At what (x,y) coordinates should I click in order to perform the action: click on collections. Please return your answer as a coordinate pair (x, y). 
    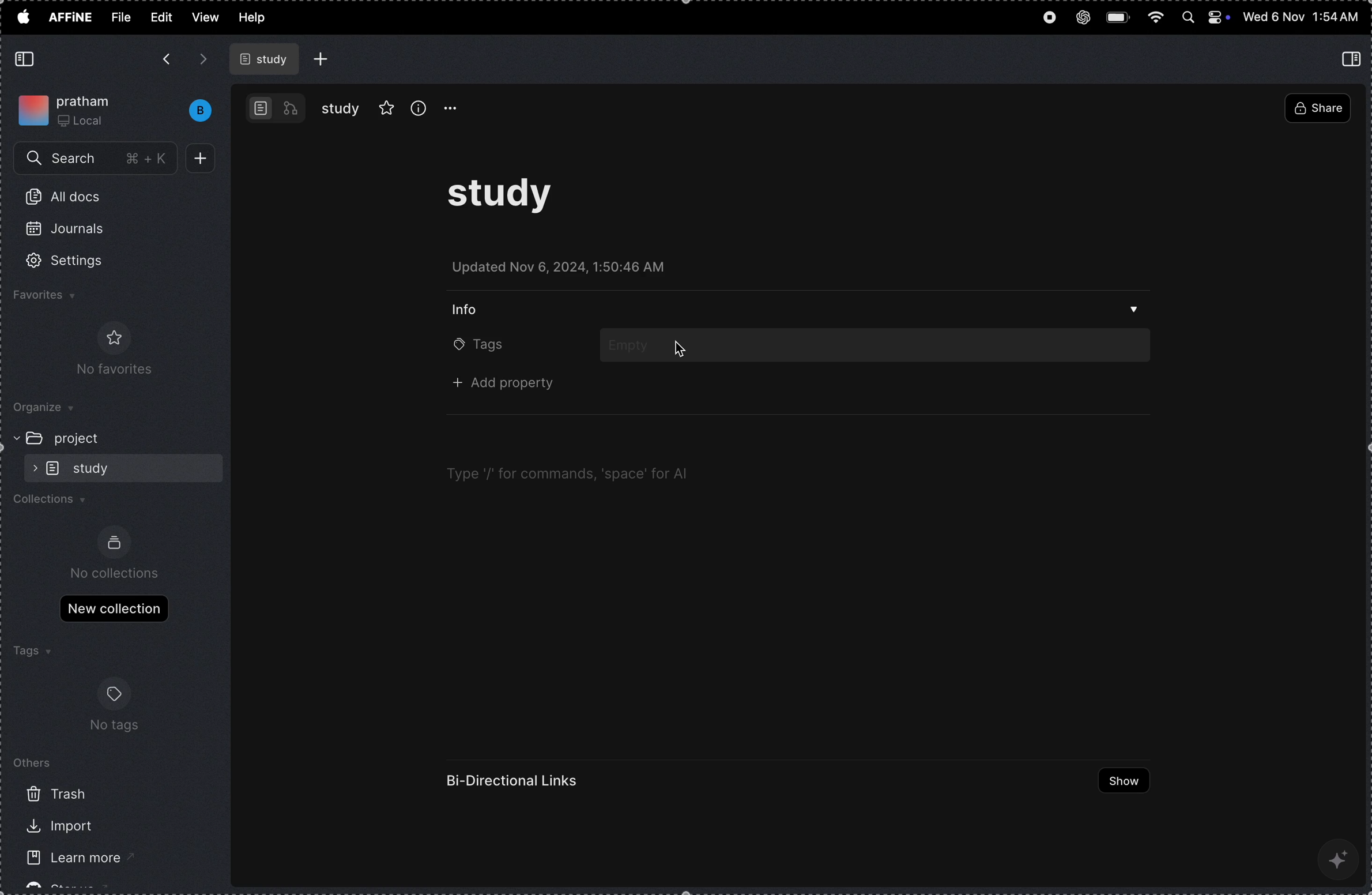
    Looking at the image, I should click on (56, 502).